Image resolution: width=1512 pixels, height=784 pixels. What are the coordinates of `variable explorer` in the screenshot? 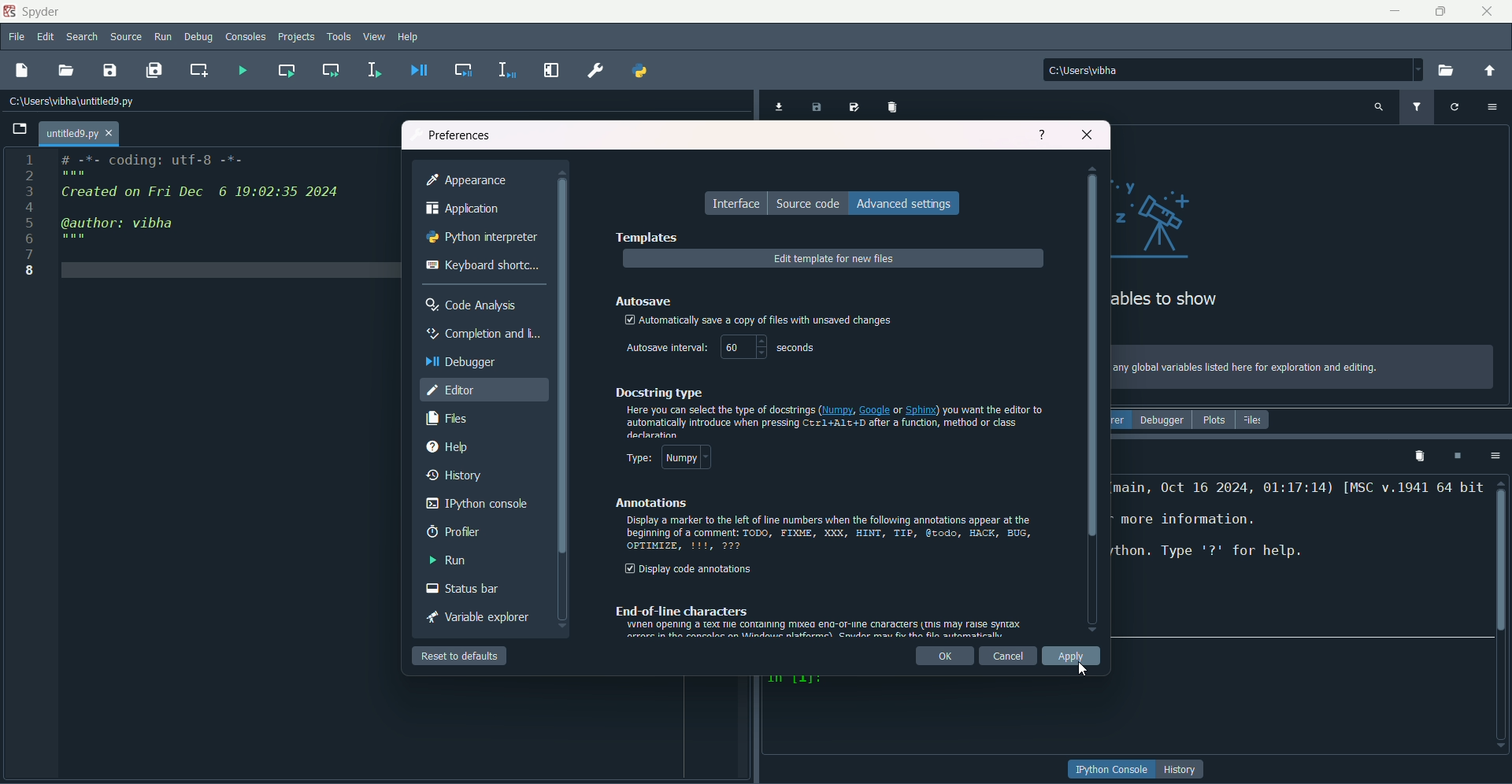 It's located at (476, 618).